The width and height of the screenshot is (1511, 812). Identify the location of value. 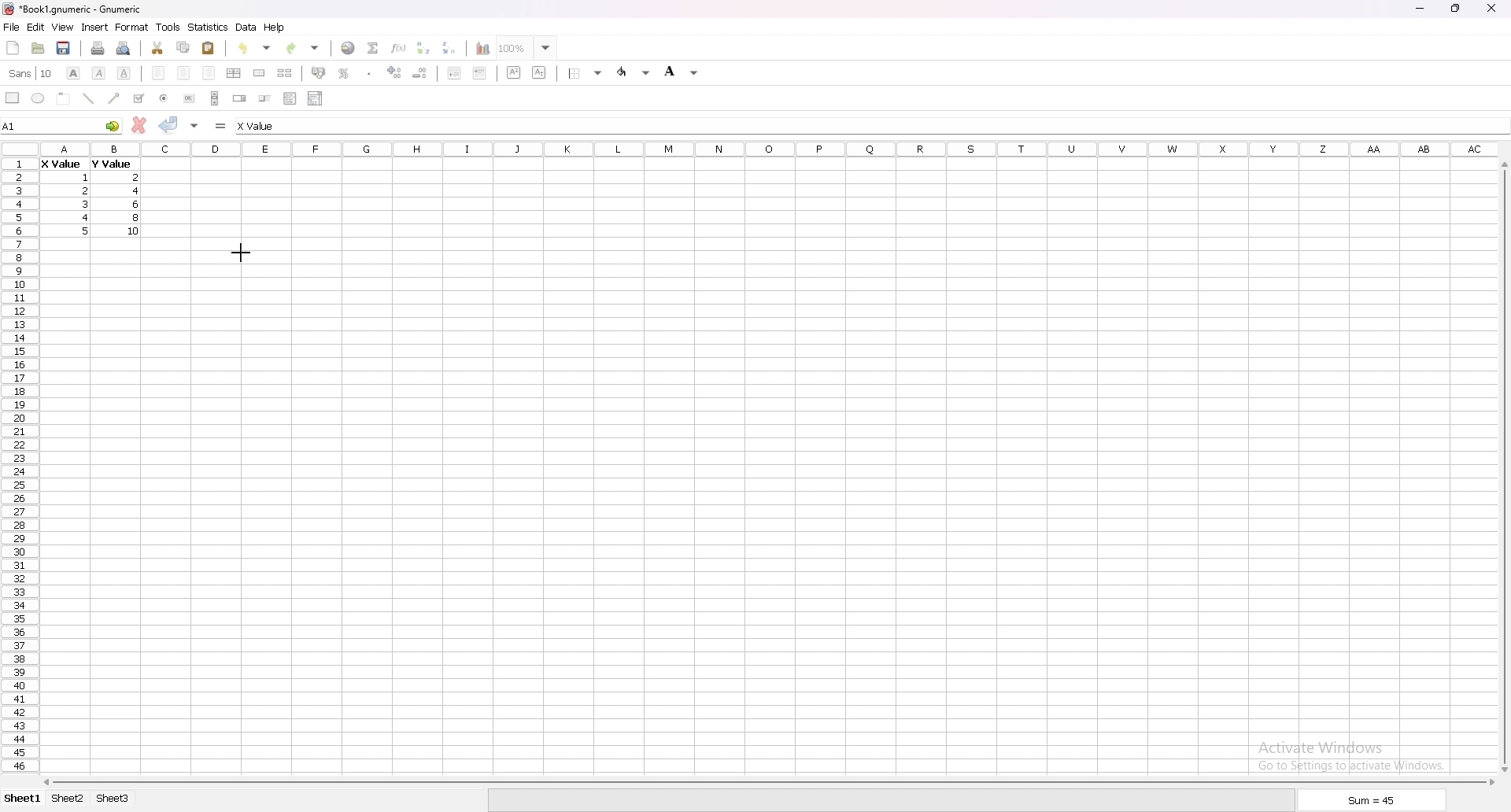
(137, 218).